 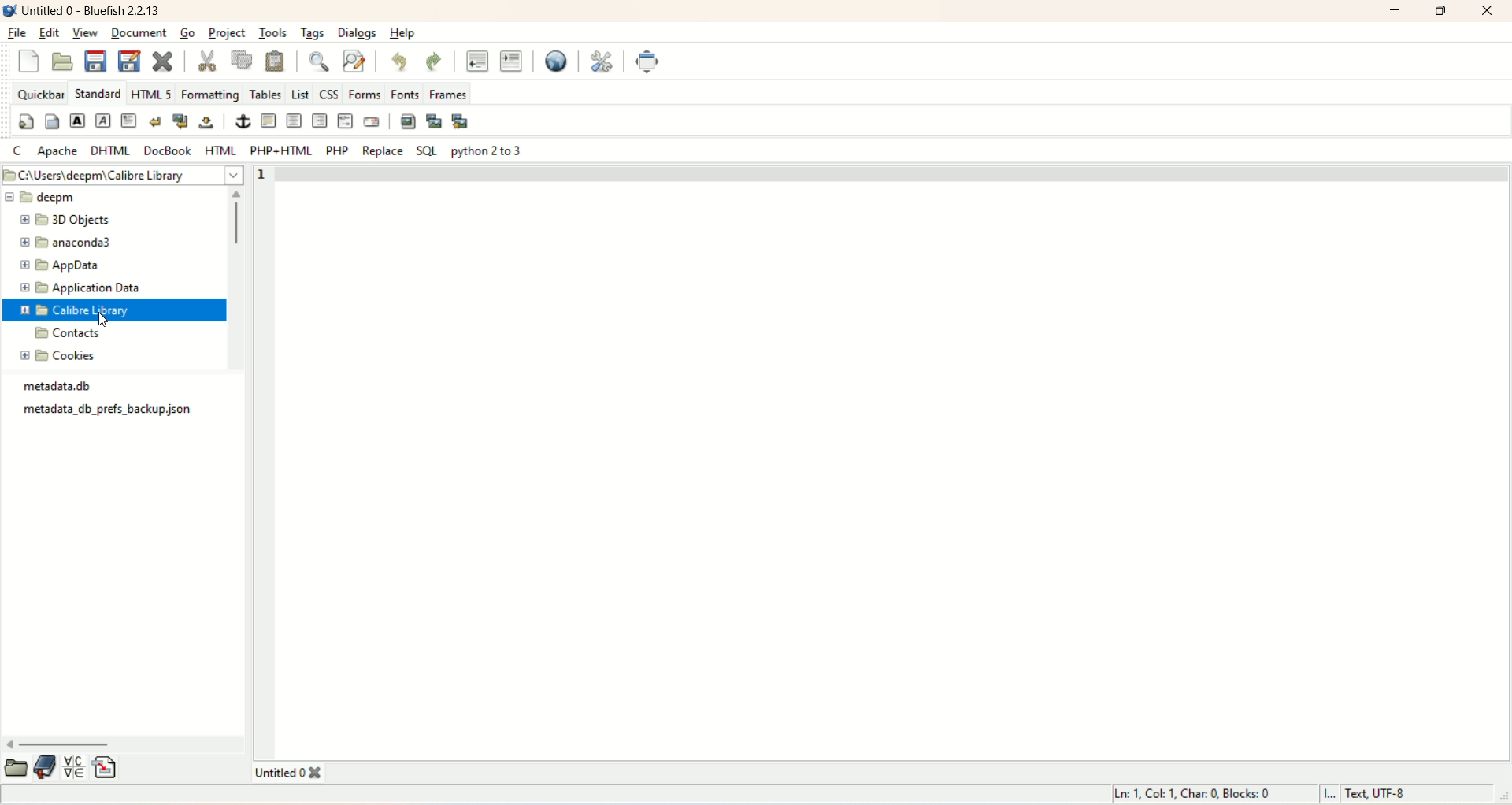 I want to click on horizontal scroll bar, so click(x=126, y=745).